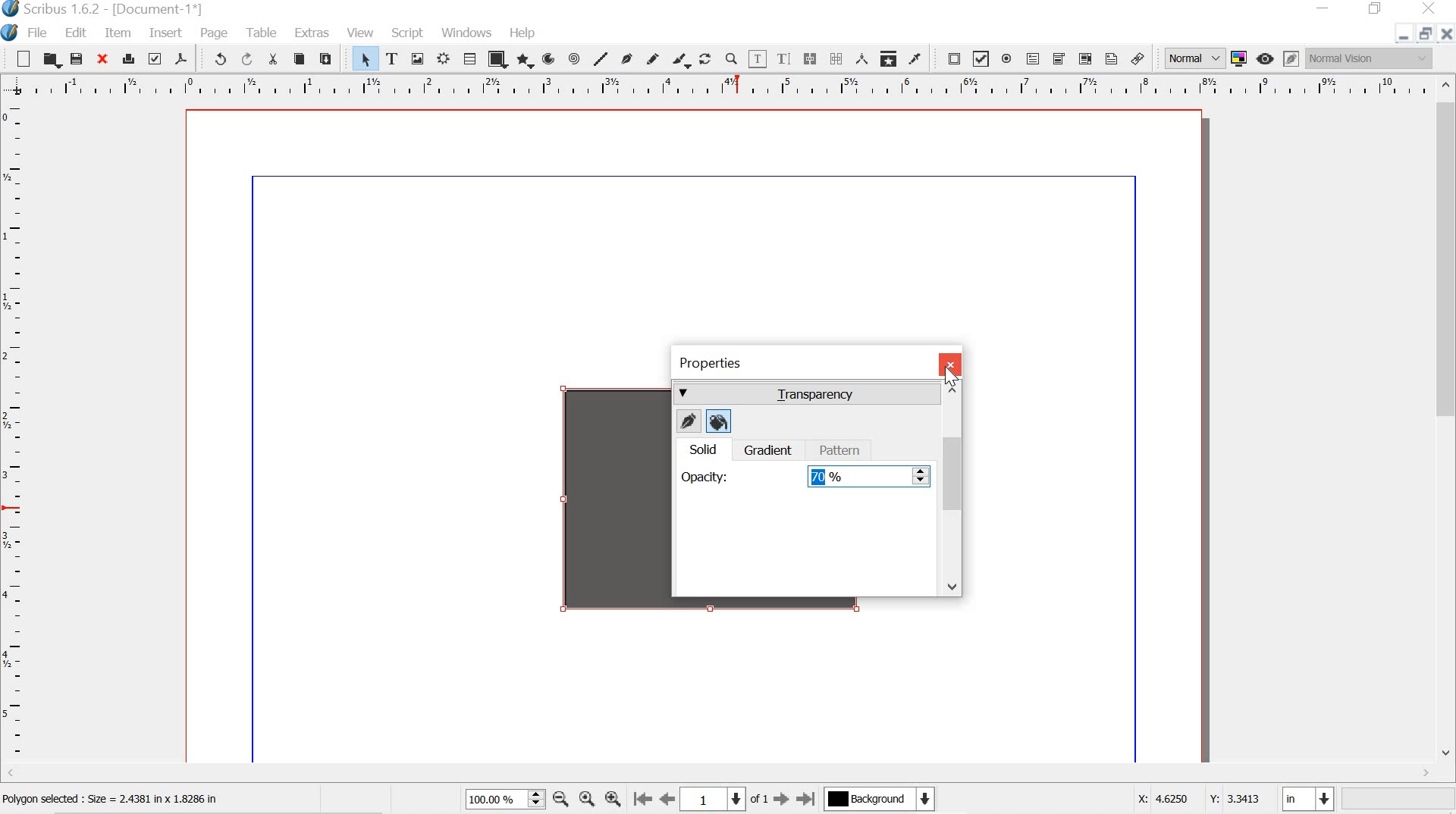 This screenshot has width=1456, height=814. Describe the element at coordinates (715, 86) in the screenshot. I see `ruler` at that location.